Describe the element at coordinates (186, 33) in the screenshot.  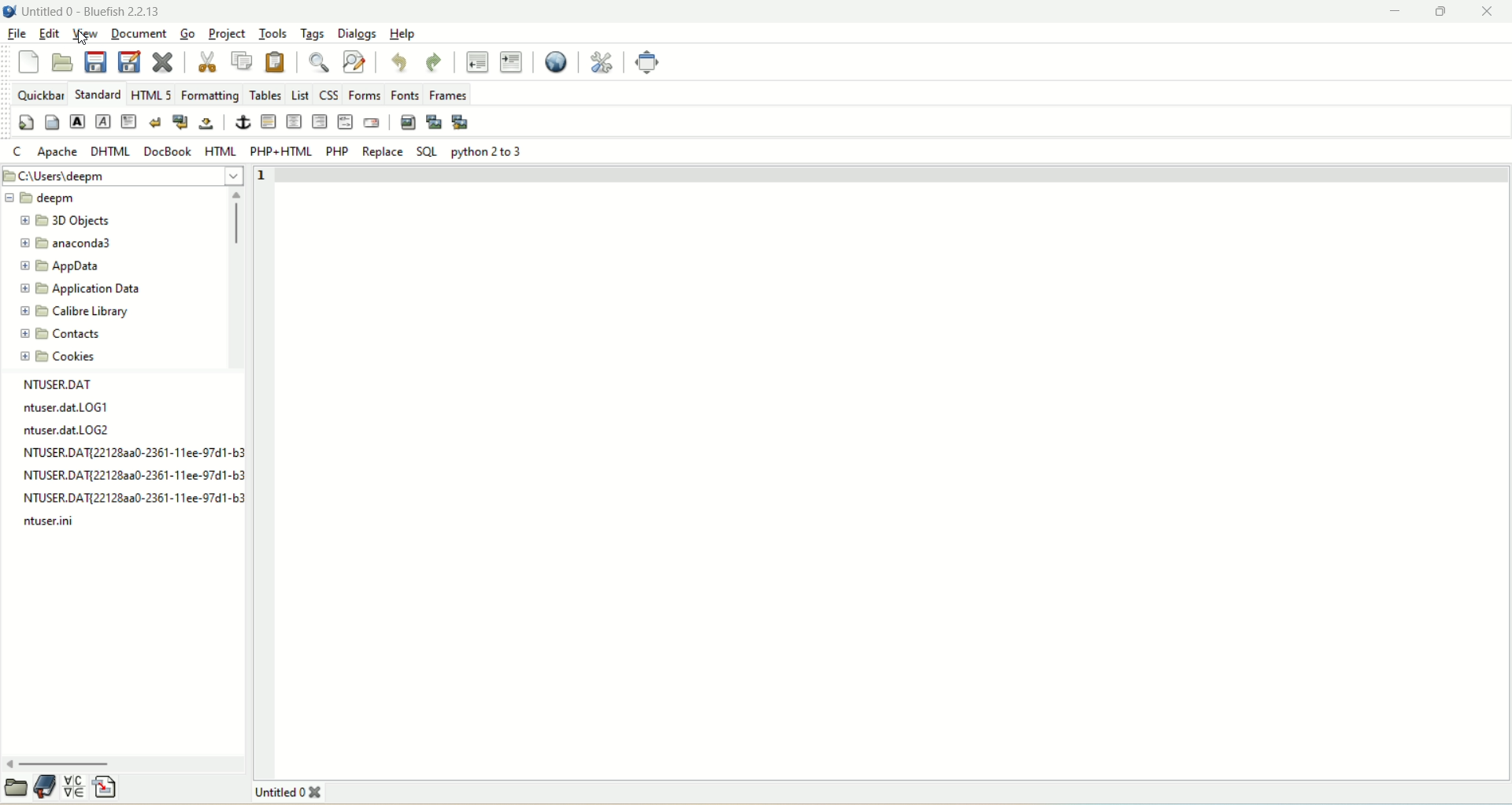
I see `go` at that location.